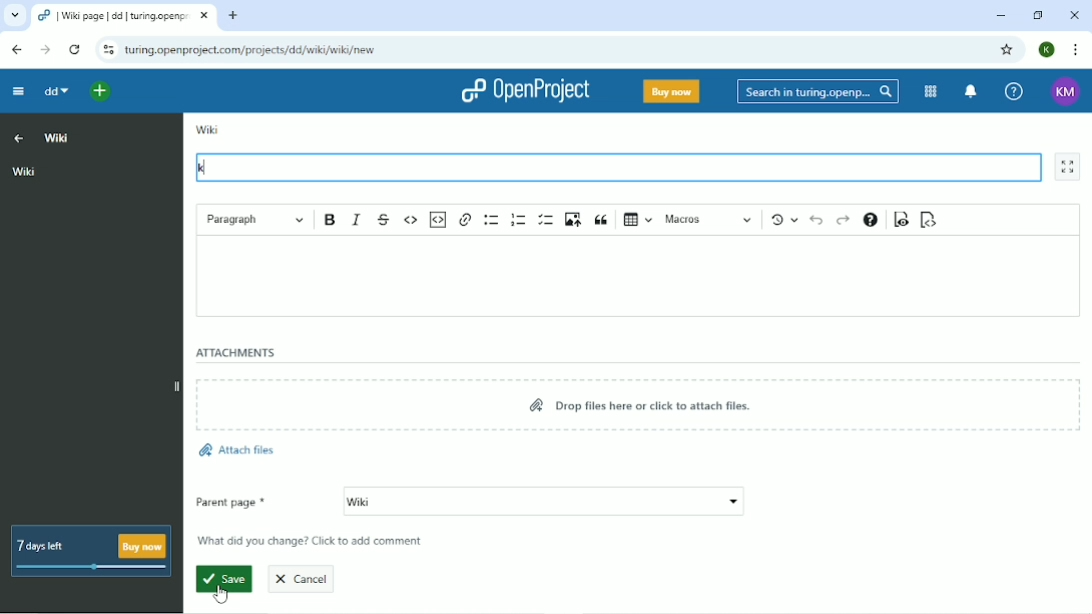  Describe the element at coordinates (16, 136) in the screenshot. I see `Up` at that location.